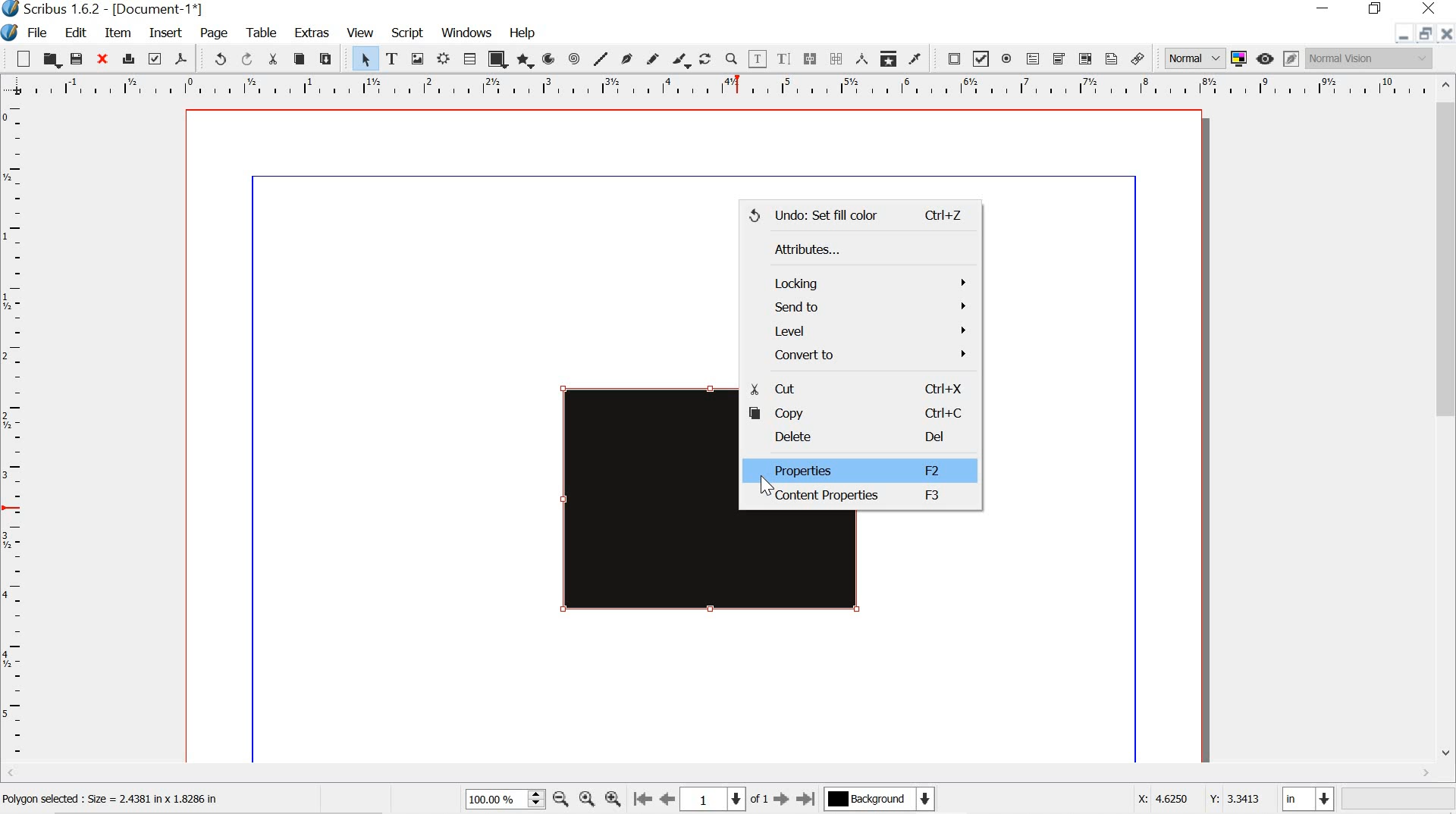 The width and height of the screenshot is (1456, 814). I want to click on spiral, so click(573, 58).